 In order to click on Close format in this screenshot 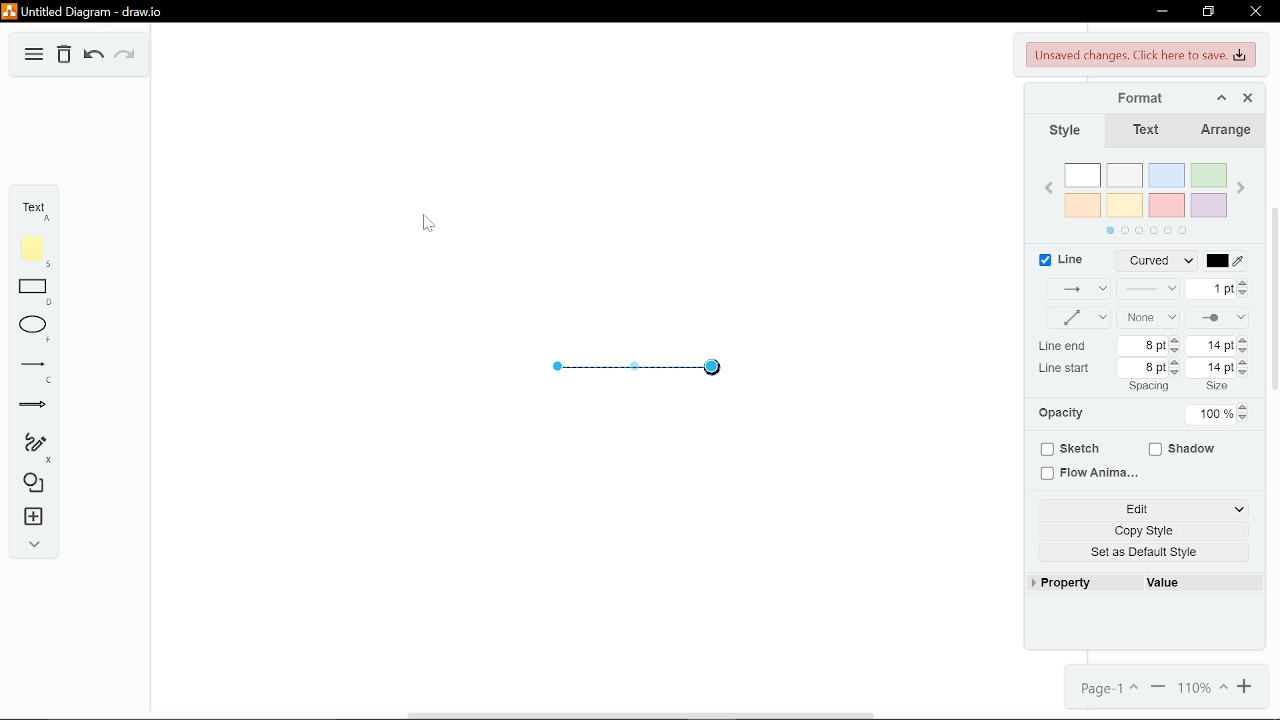, I will do `click(1248, 98)`.